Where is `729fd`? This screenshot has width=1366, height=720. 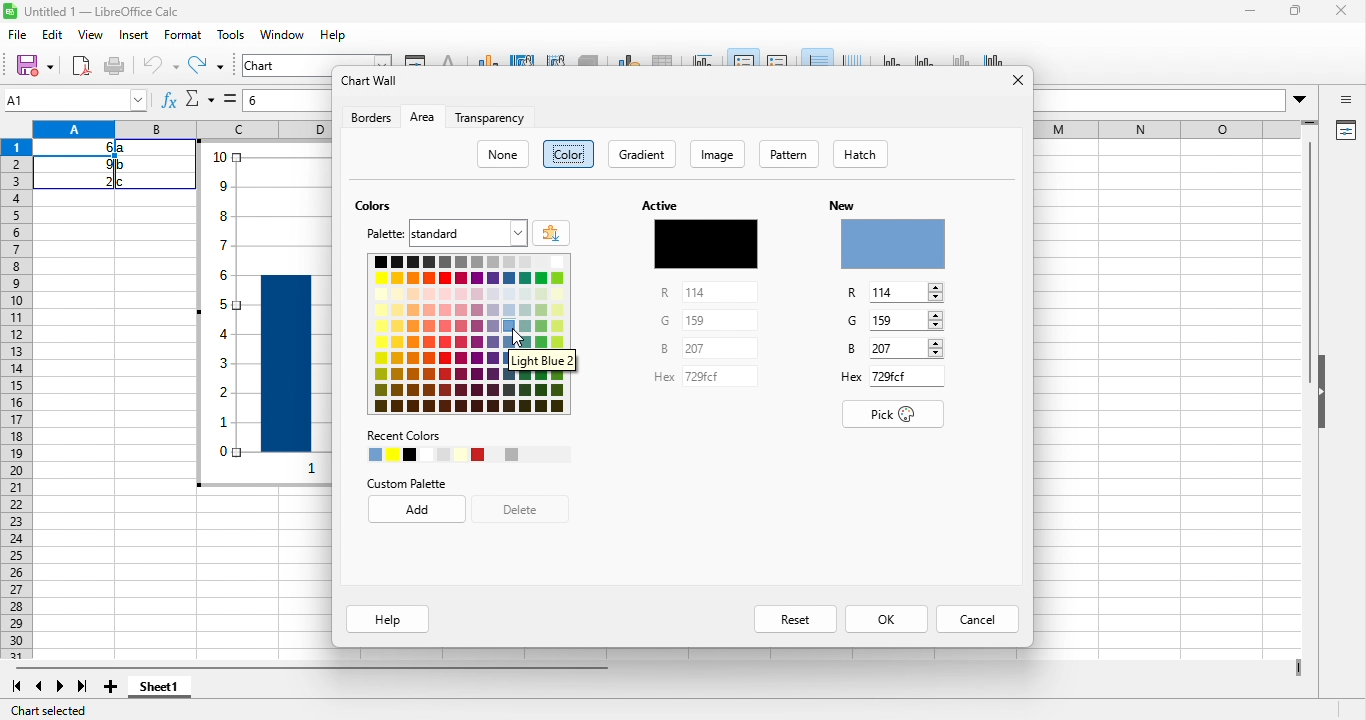
729fd is located at coordinates (704, 375).